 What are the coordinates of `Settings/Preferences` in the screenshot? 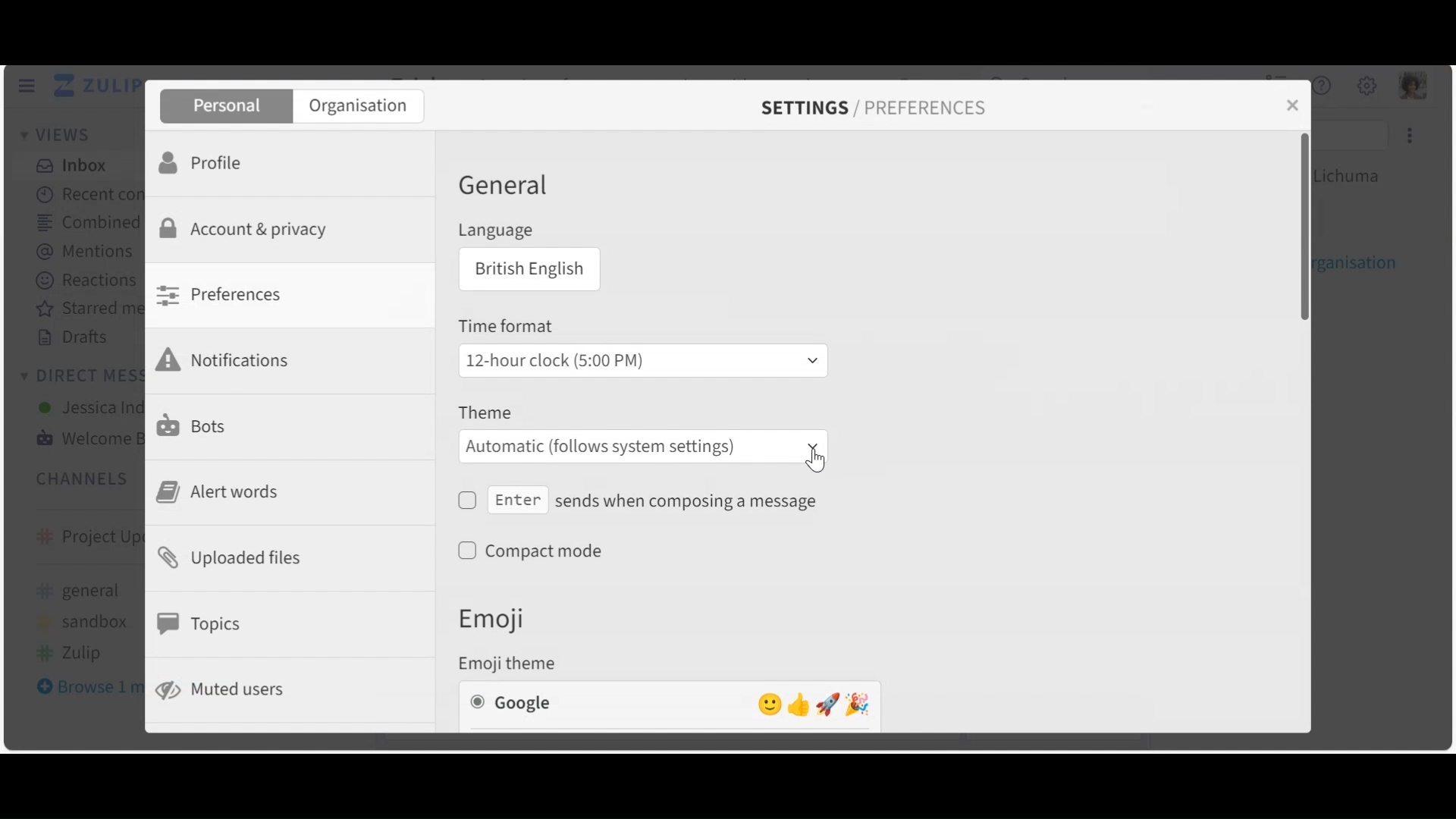 It's located at (873, 108).